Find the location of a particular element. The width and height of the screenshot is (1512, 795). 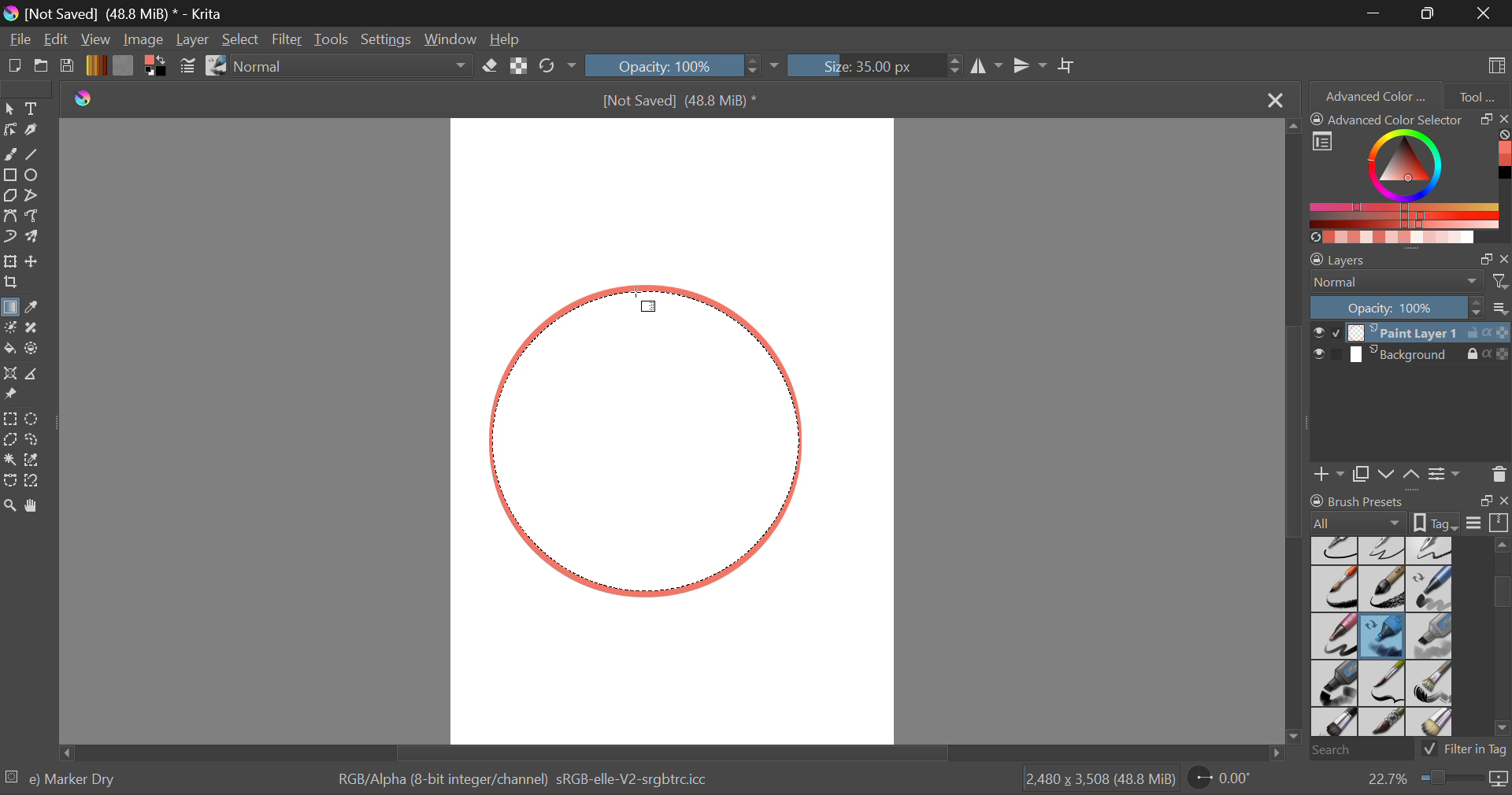

Search is located at coordinates (1357, 751).